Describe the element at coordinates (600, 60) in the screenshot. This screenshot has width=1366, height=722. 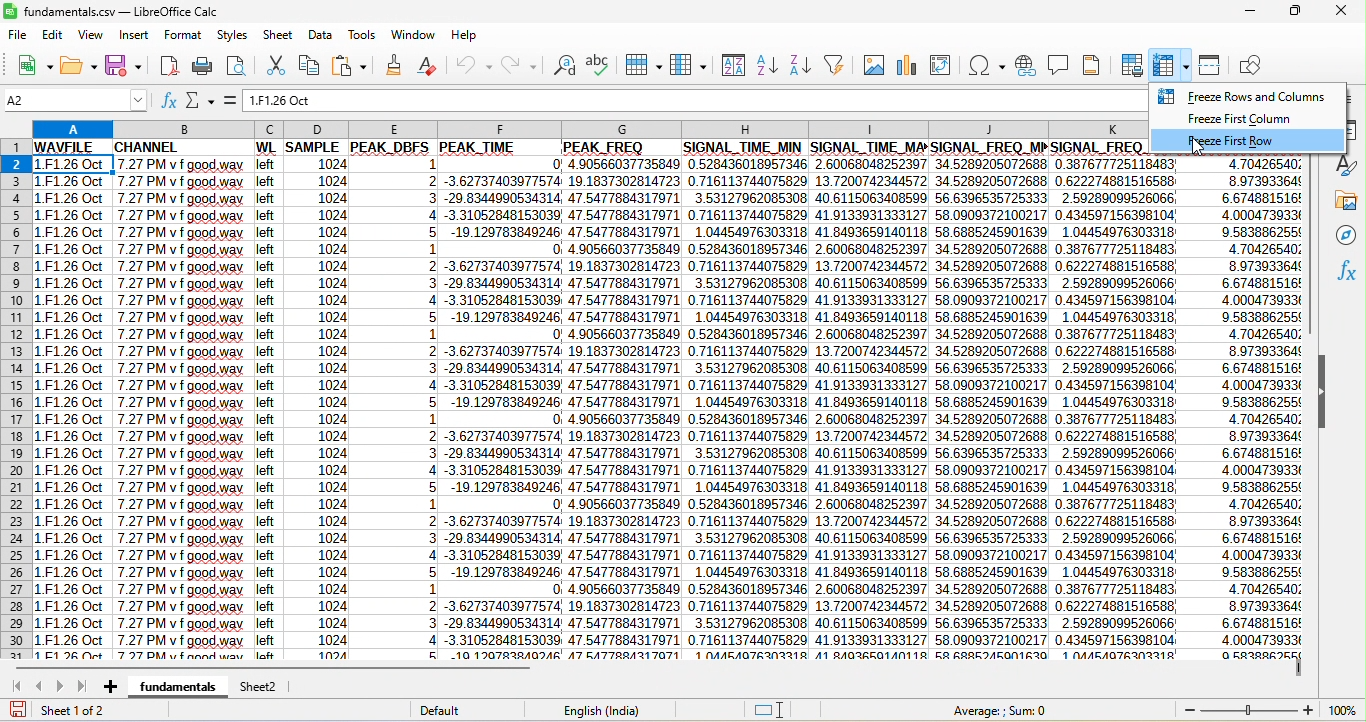
I see `spelling` at that location.